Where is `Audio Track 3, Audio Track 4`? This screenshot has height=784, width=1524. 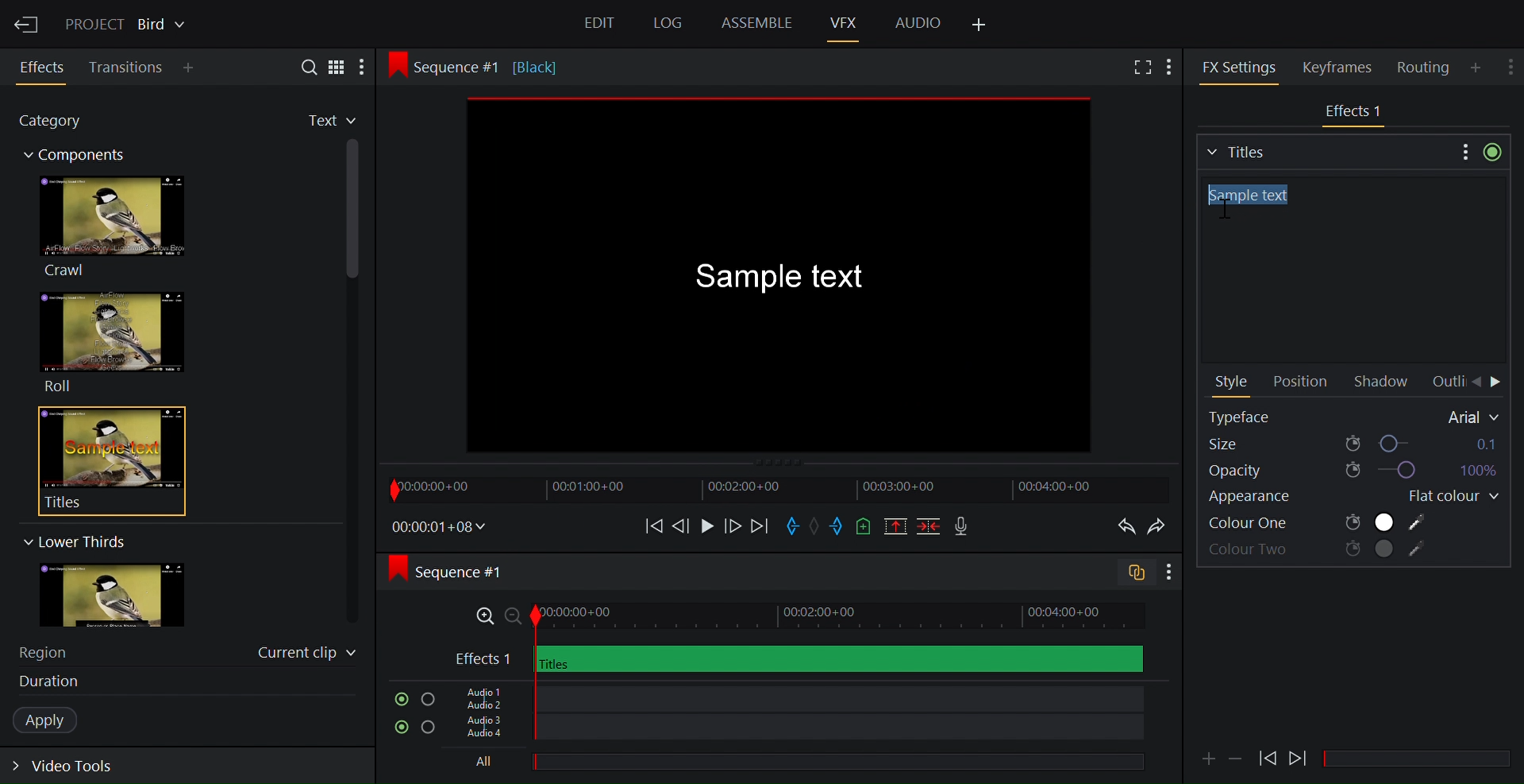 Audio Track 3, Audio Track 4 is located at coordinates (796, 731).